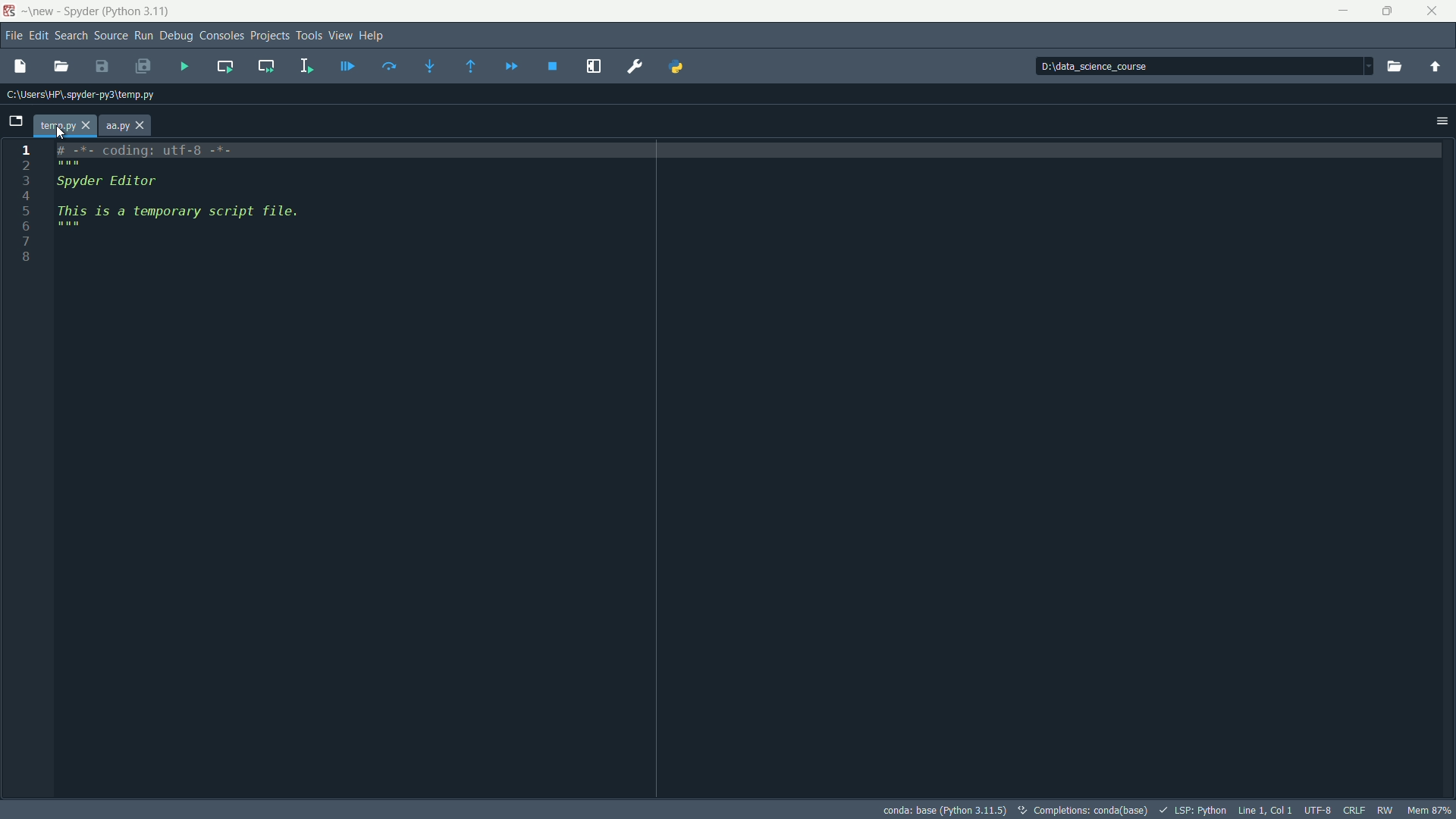 Image resolution: width=1456 pixels, height=819 pixels. Describe the element at coordinates (686, 66) in the screenshot. I see `PYTHONPATH manager` at that location.